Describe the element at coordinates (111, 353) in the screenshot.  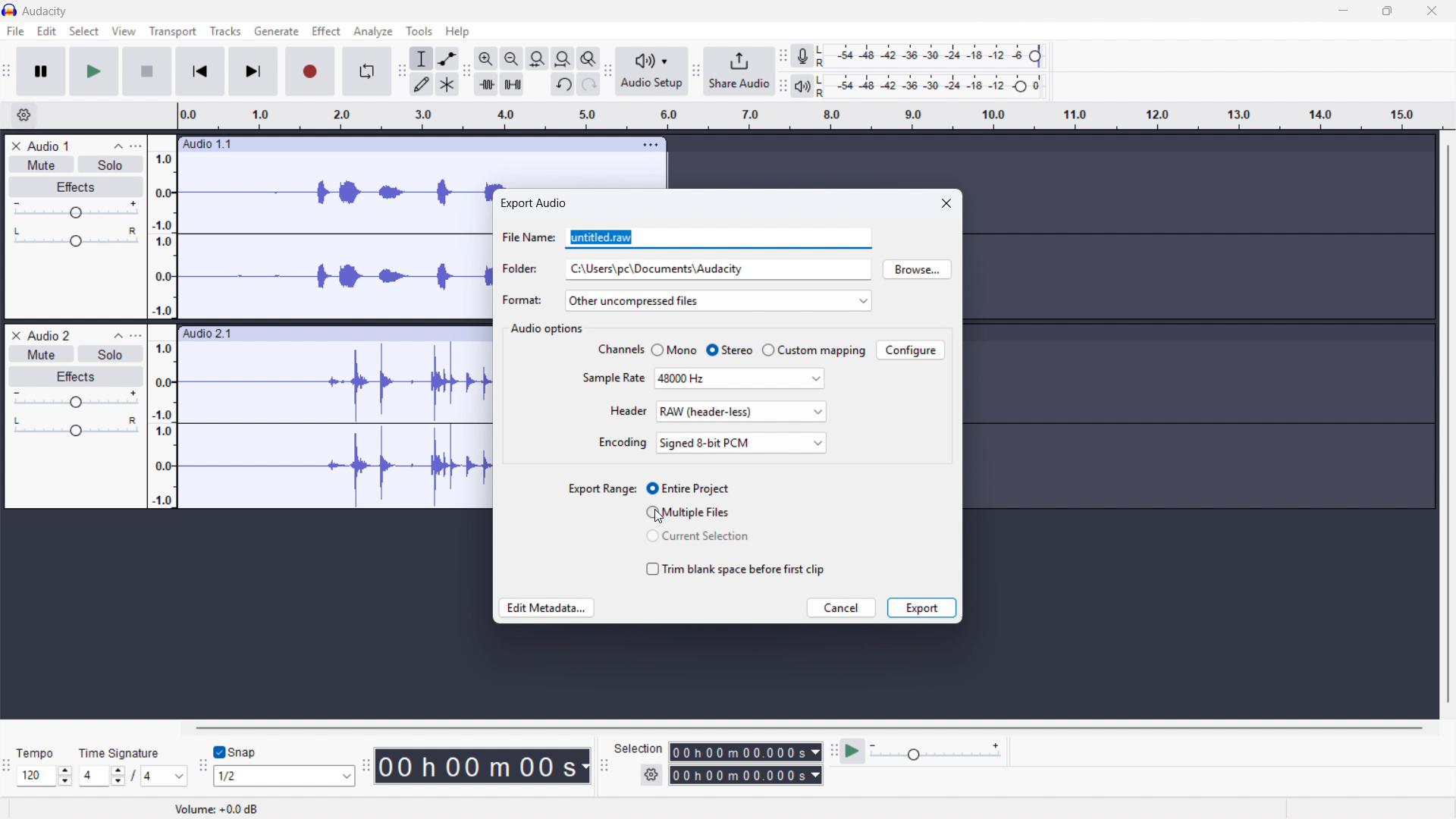
I see `Solo ` at that location.